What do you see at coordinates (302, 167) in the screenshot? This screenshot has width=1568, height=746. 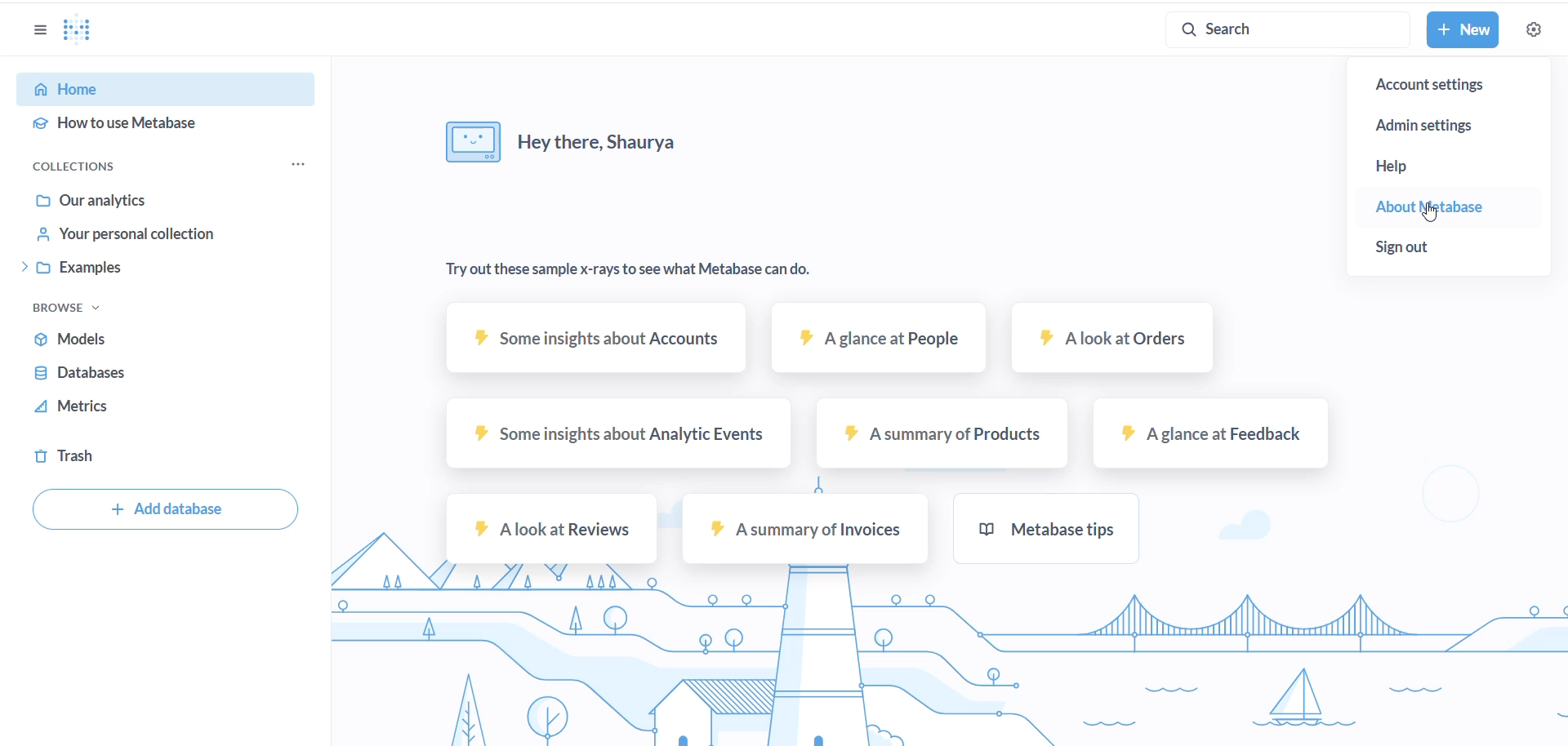 I see `collection options` at bounding box center [302, 167].